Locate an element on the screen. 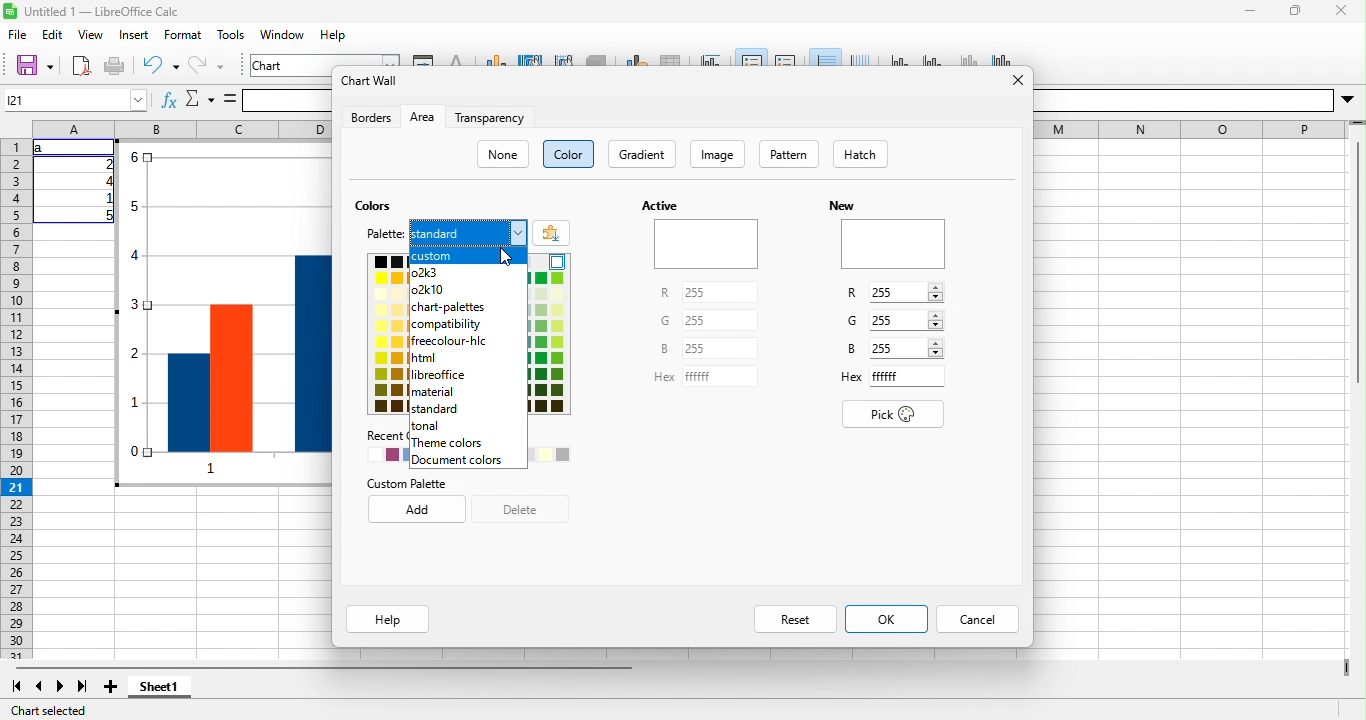 The width and height of the screenshot is (1366, 720). chart type is located at coordinates (497, 59).